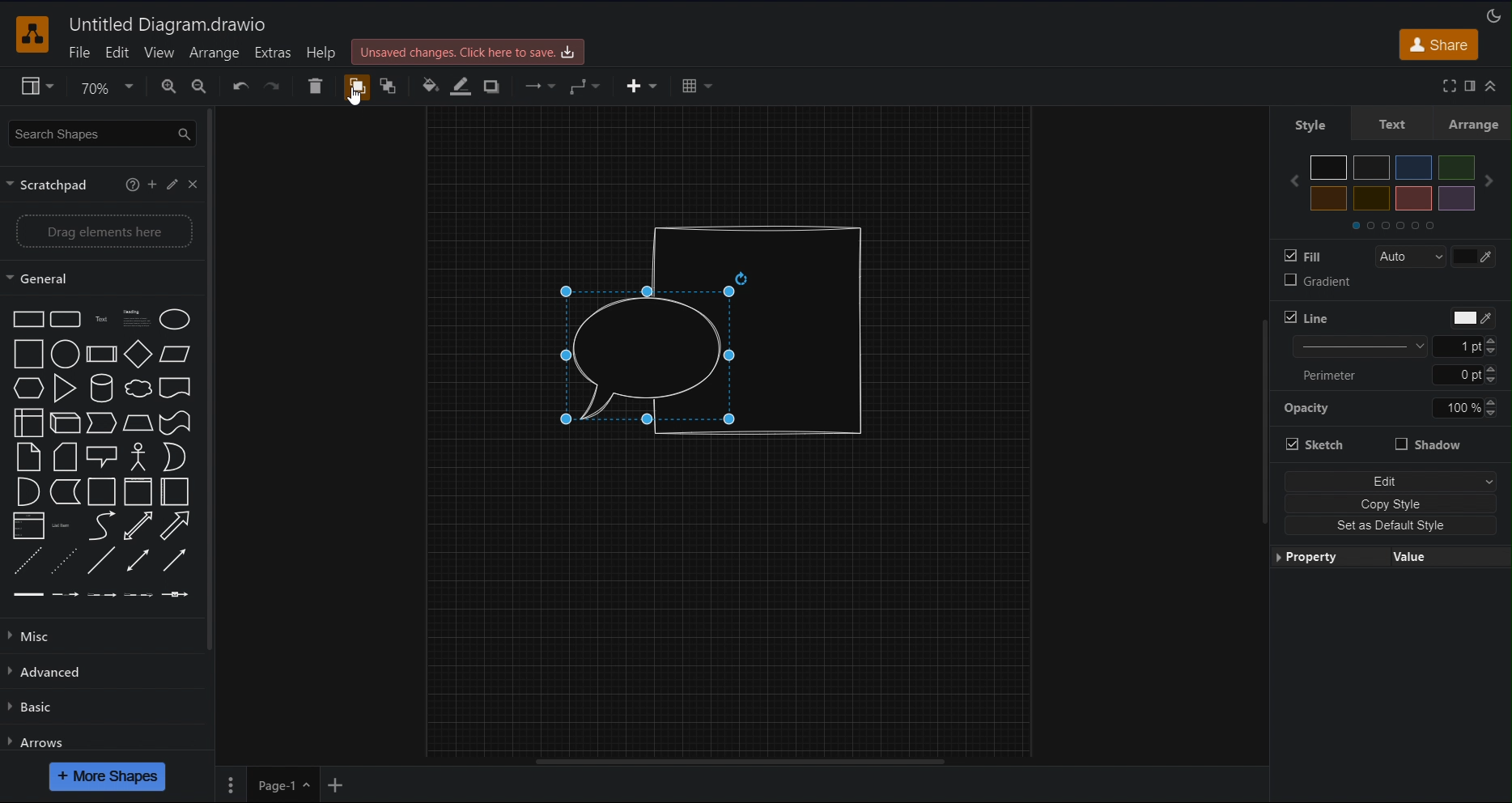 The height and width of the screenshot is (803, 1512). I want to click on Textbox, so click(137, 319).